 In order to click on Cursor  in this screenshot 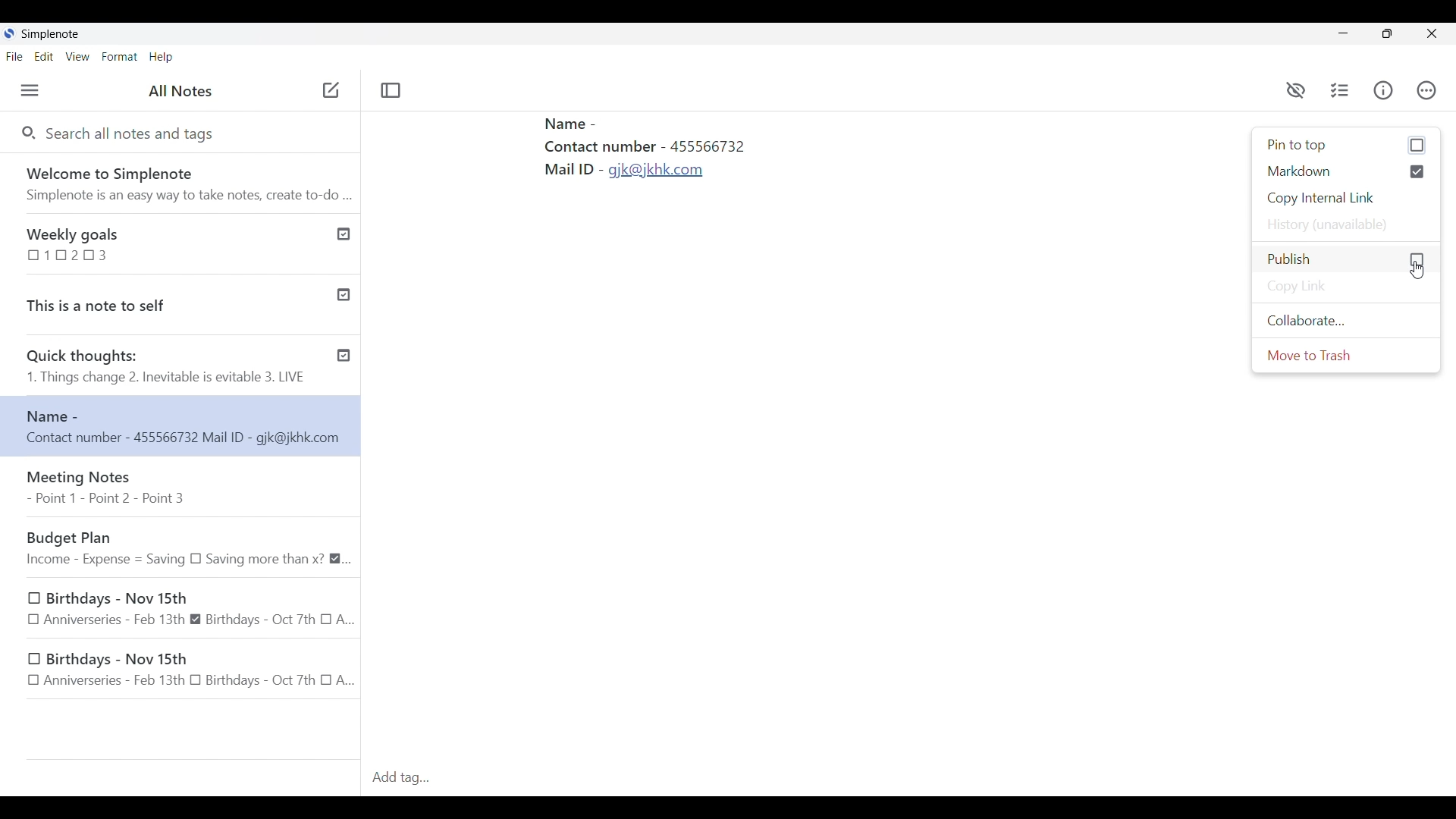, I will do `click(1419, 271)`.